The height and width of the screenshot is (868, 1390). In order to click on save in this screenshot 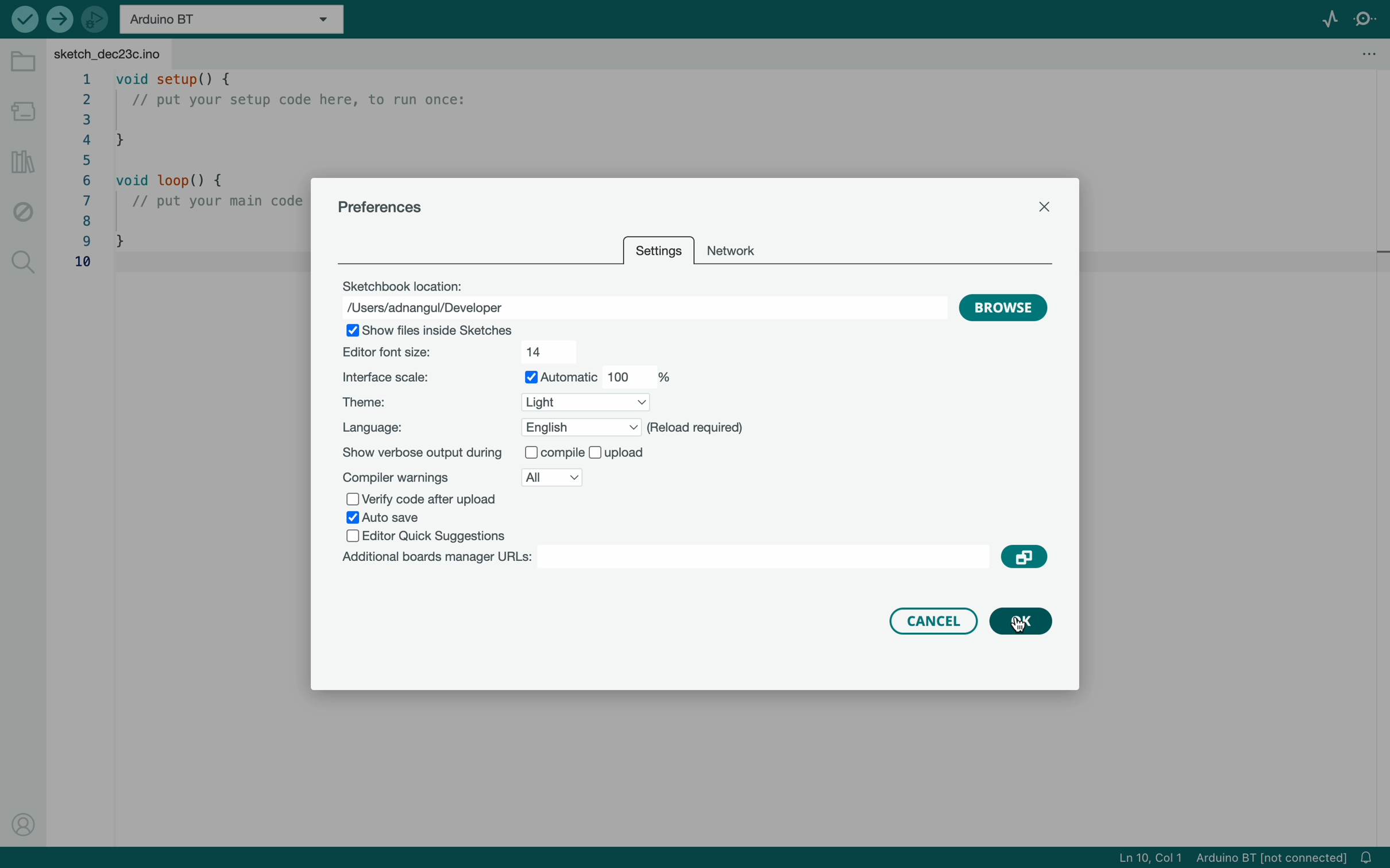, I will do `click(405, 518)`.